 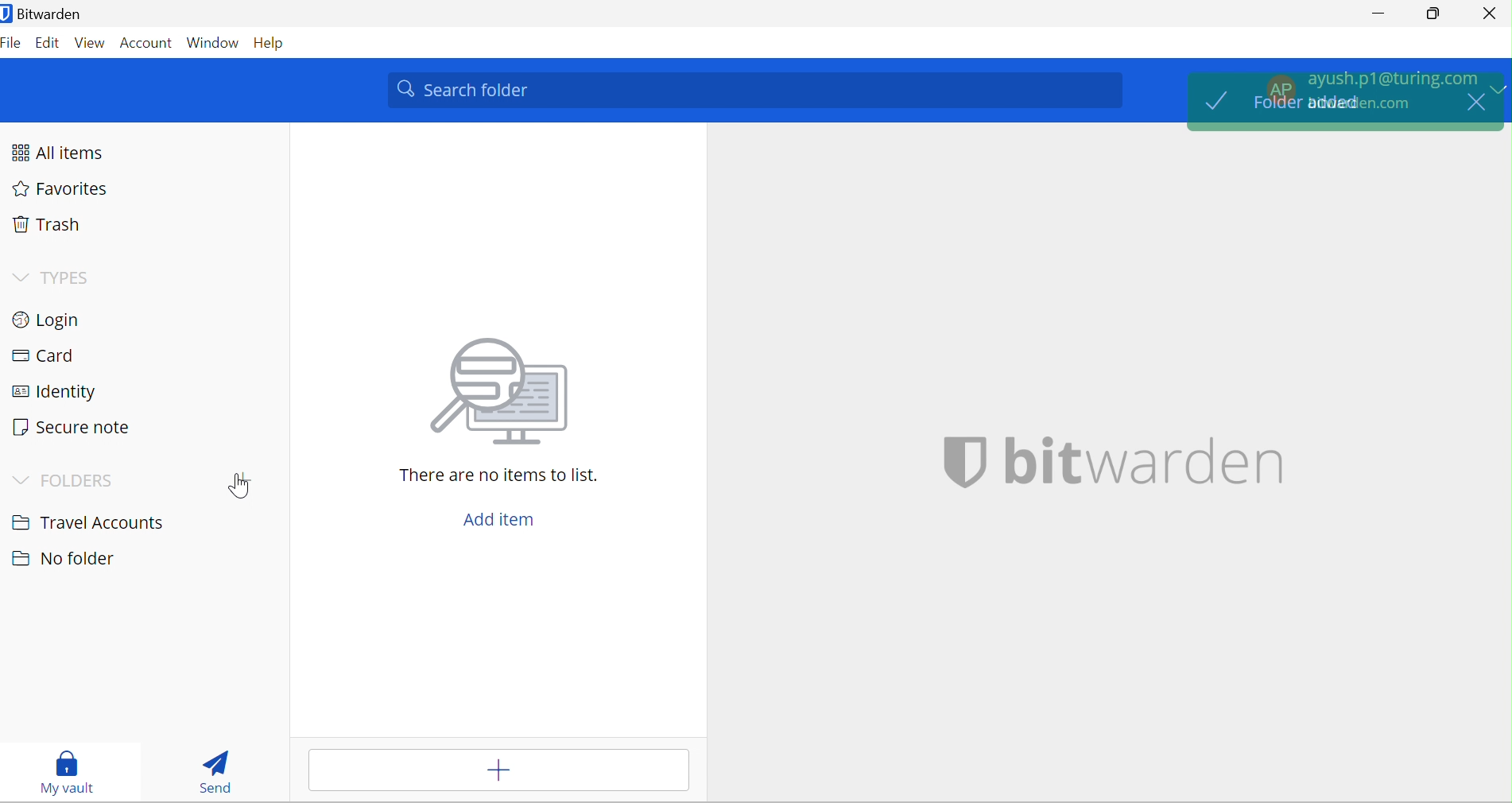 What do you see at coordinates (239, 486) in the screenshot?
I see `Cursor` at bounding box center [239, 486].